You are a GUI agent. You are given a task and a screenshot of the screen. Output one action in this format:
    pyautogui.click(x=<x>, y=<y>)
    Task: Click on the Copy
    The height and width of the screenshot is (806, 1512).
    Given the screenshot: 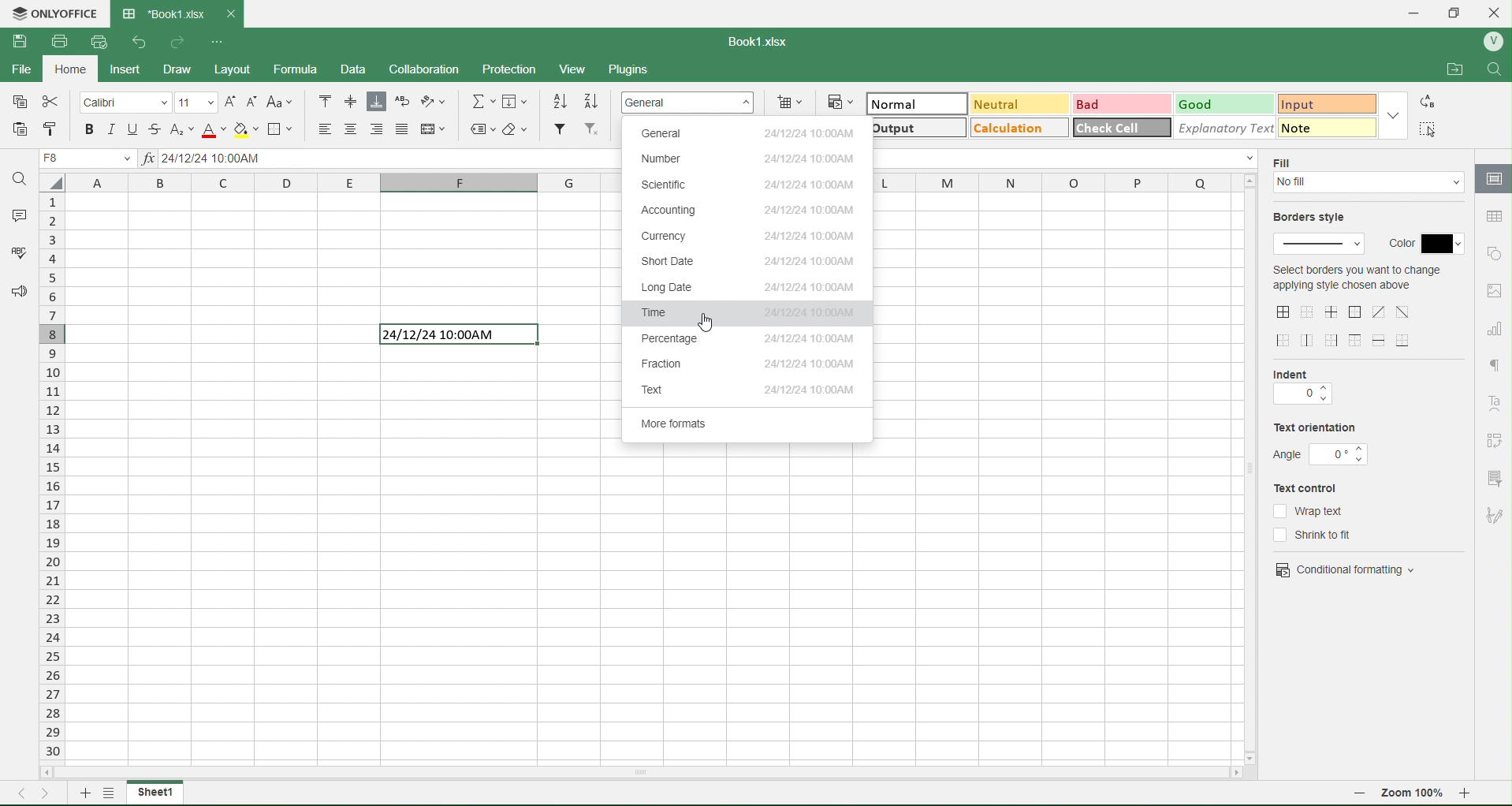 What is the action you would take?
    pyautogui.click(x=20, y=103)
    